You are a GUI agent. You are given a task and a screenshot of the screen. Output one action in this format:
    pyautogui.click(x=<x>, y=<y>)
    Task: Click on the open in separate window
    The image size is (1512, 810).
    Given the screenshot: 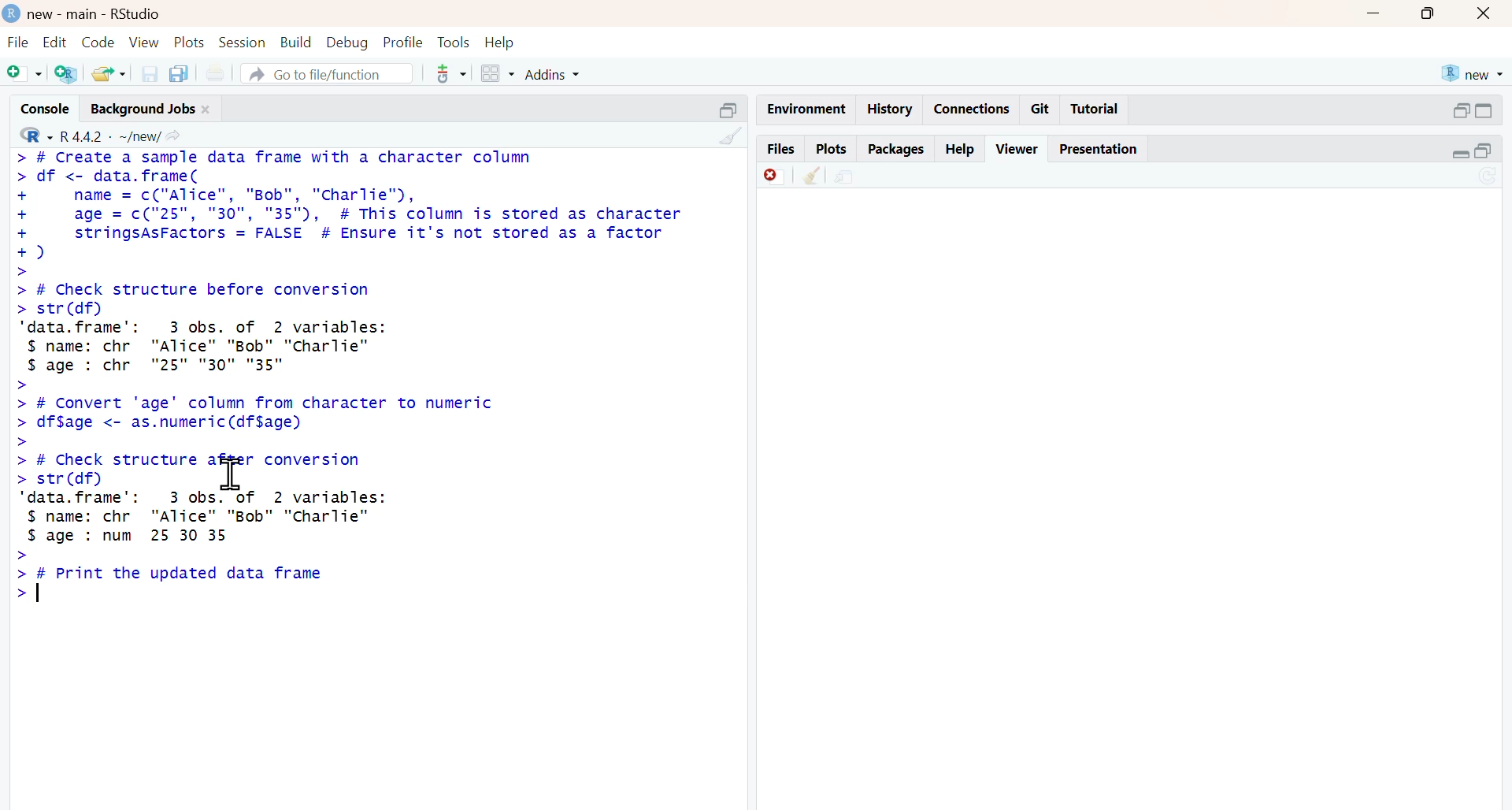 What is the action you would take?
    pyautogui.click(x=1460, y=110)
    